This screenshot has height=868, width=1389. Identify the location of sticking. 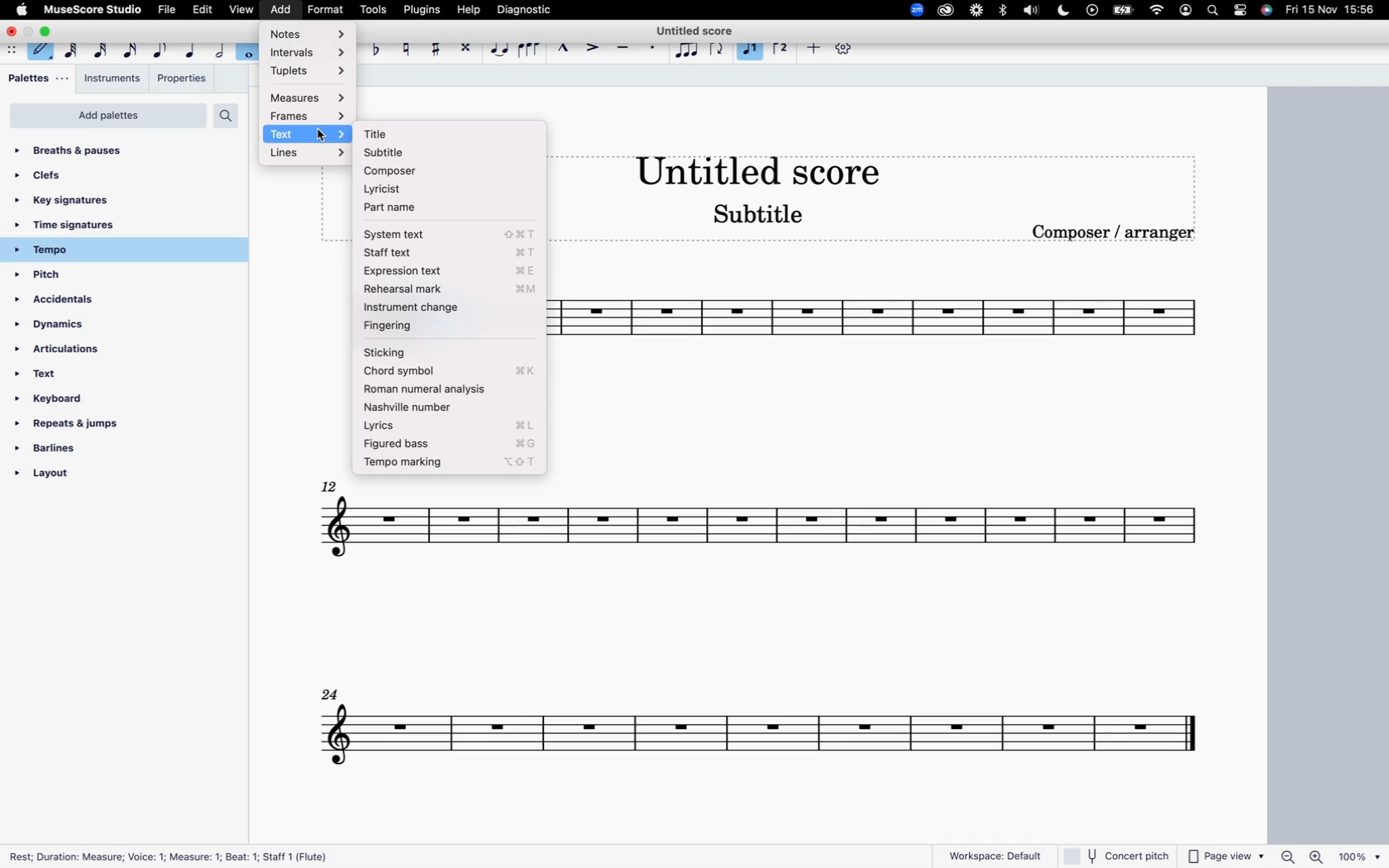
(449, 351).